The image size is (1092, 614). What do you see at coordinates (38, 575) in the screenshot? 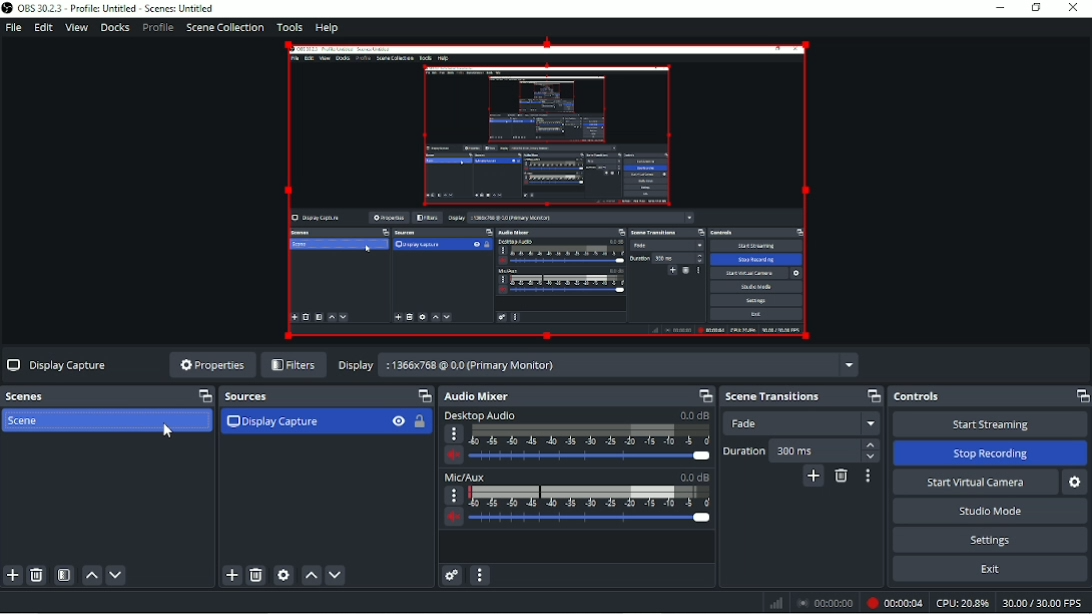
I see `Remove selected scene` at bounding box center [38, 575].